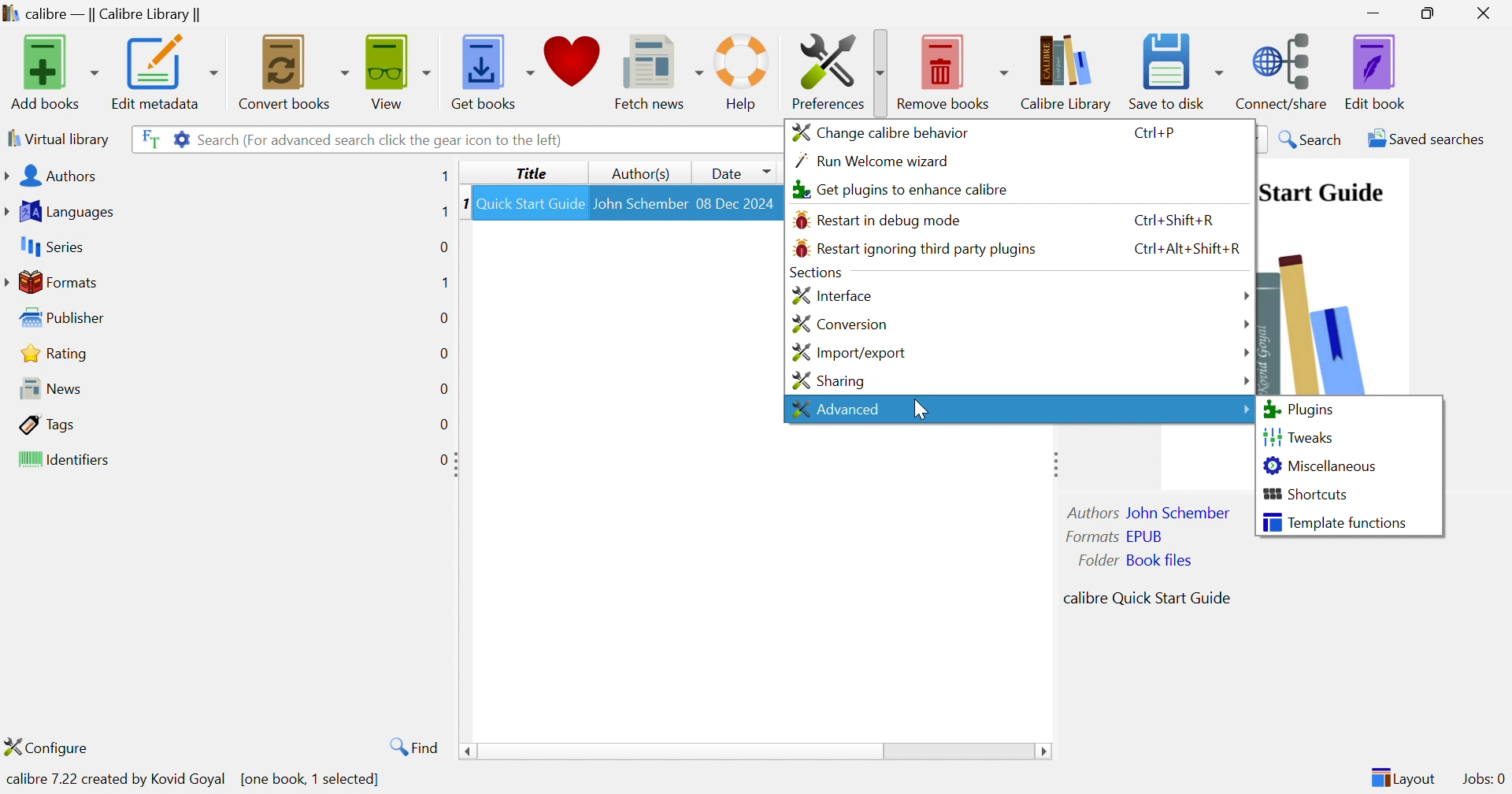 This screenshot has width=1512, height=794. What do you see at coordinates (411, 746) in the screenshot?
I see `Find` at bounding box center [411, 746].